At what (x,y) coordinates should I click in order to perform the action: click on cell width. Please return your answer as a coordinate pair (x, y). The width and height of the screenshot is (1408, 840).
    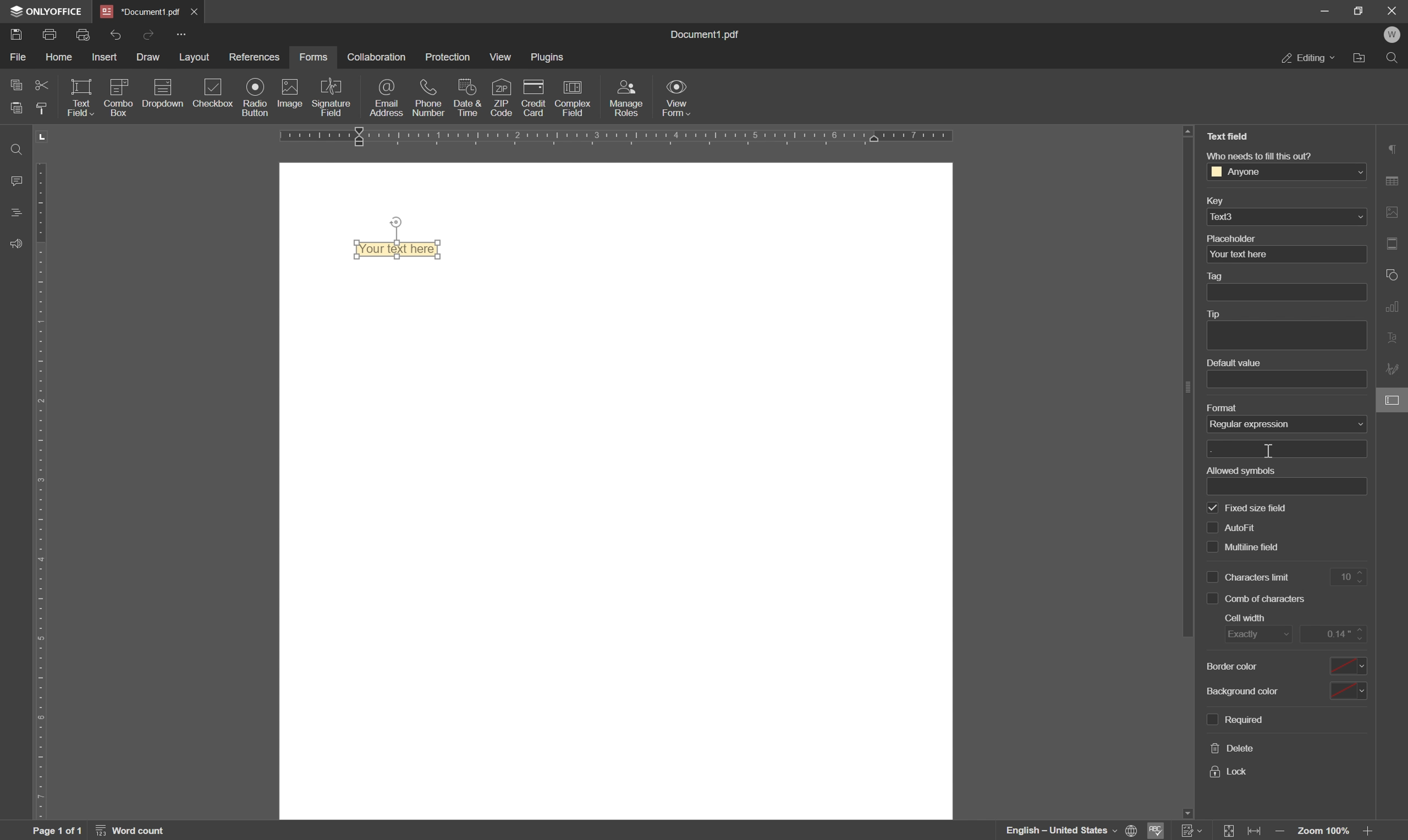
    Looking at the image, I should click on (1248, 618).